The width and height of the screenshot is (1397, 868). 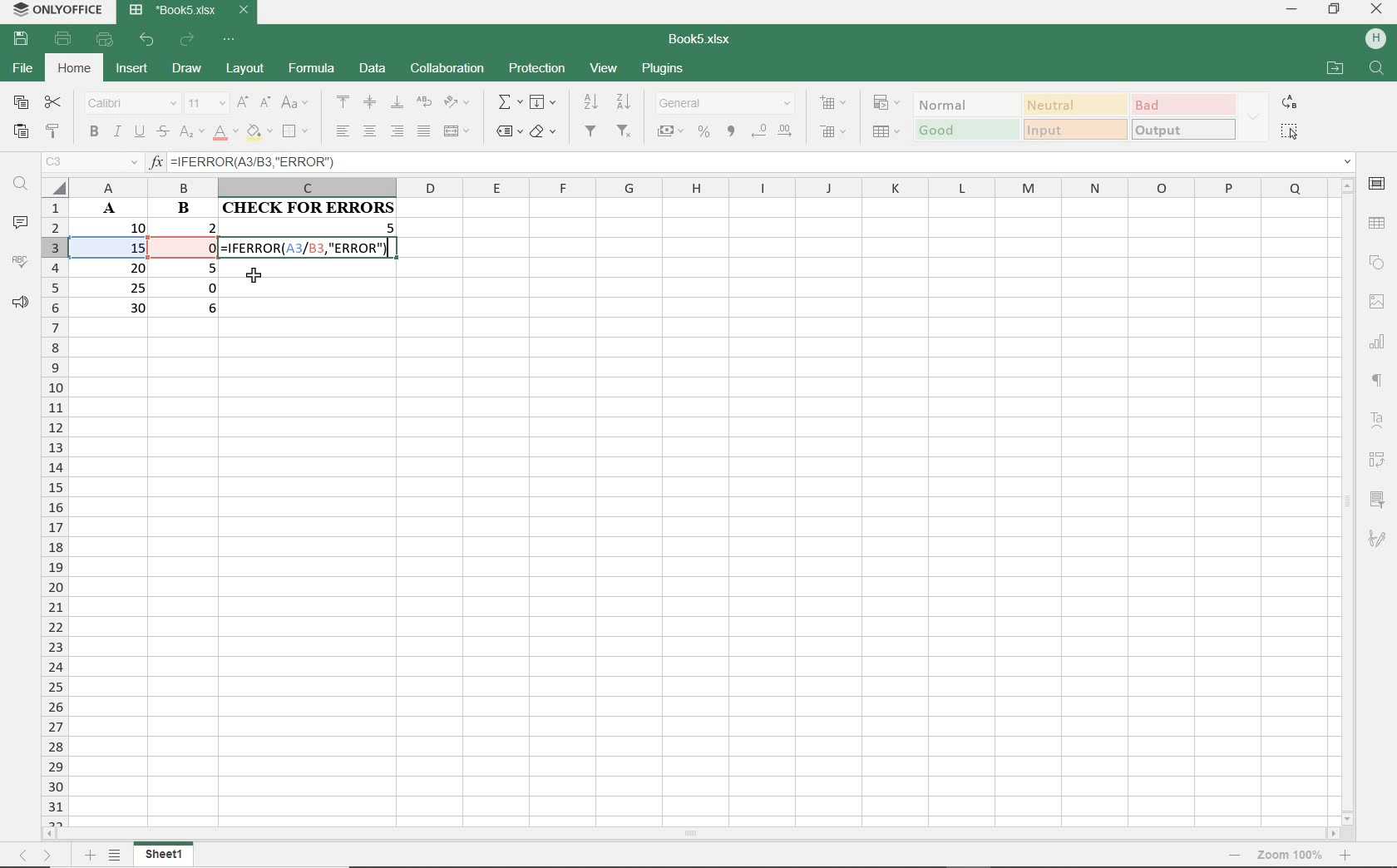 I want to click on NAMED RANGES, so click(x=506, y=131).